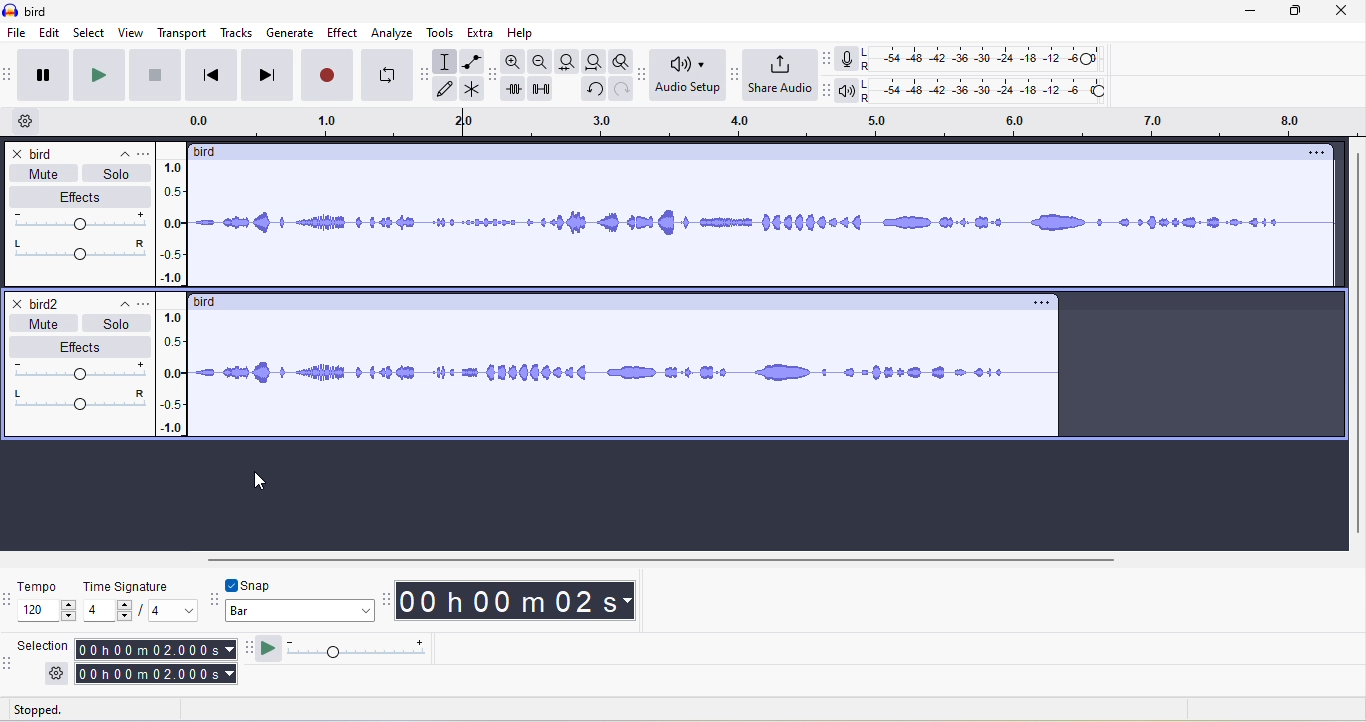 This screenshot has width=1366, height=722. What do you see at coordinates (39, 303) in the screenshot?
I see `bird 2` at bounding box center [39, 303].